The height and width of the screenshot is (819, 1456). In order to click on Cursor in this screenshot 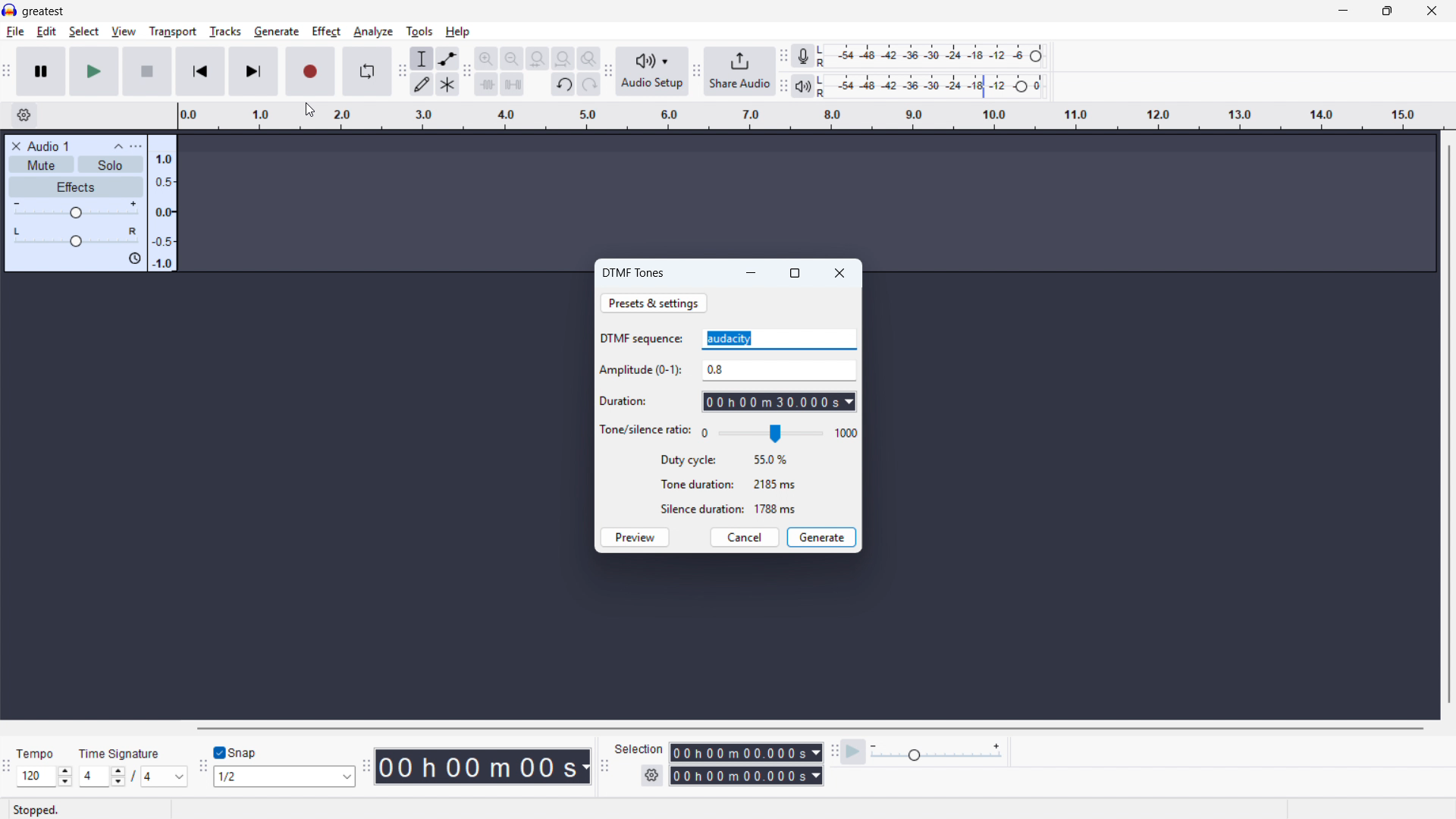, I will do `click(310, 111)`.